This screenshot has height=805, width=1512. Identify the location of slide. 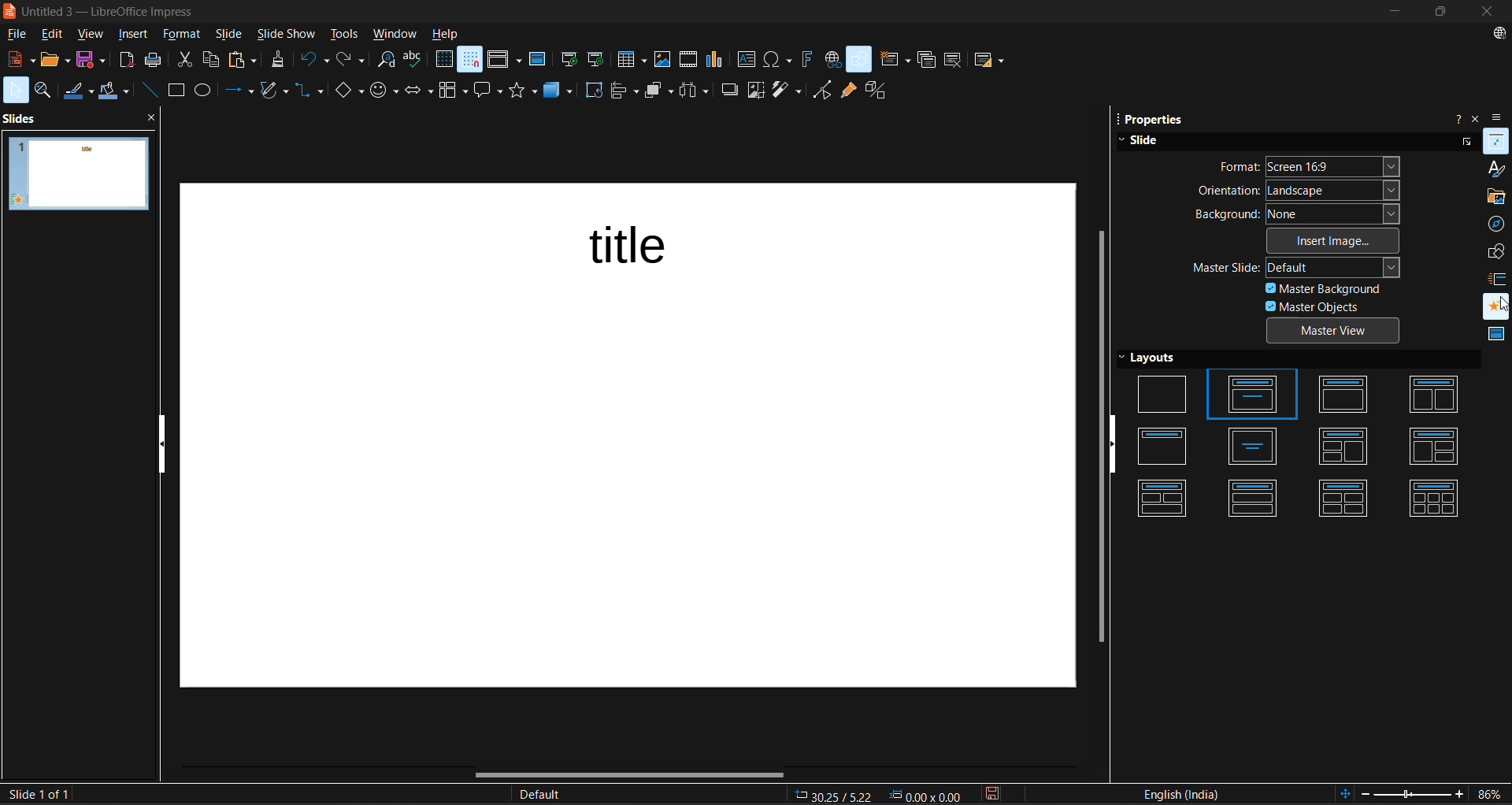
(231, 36).